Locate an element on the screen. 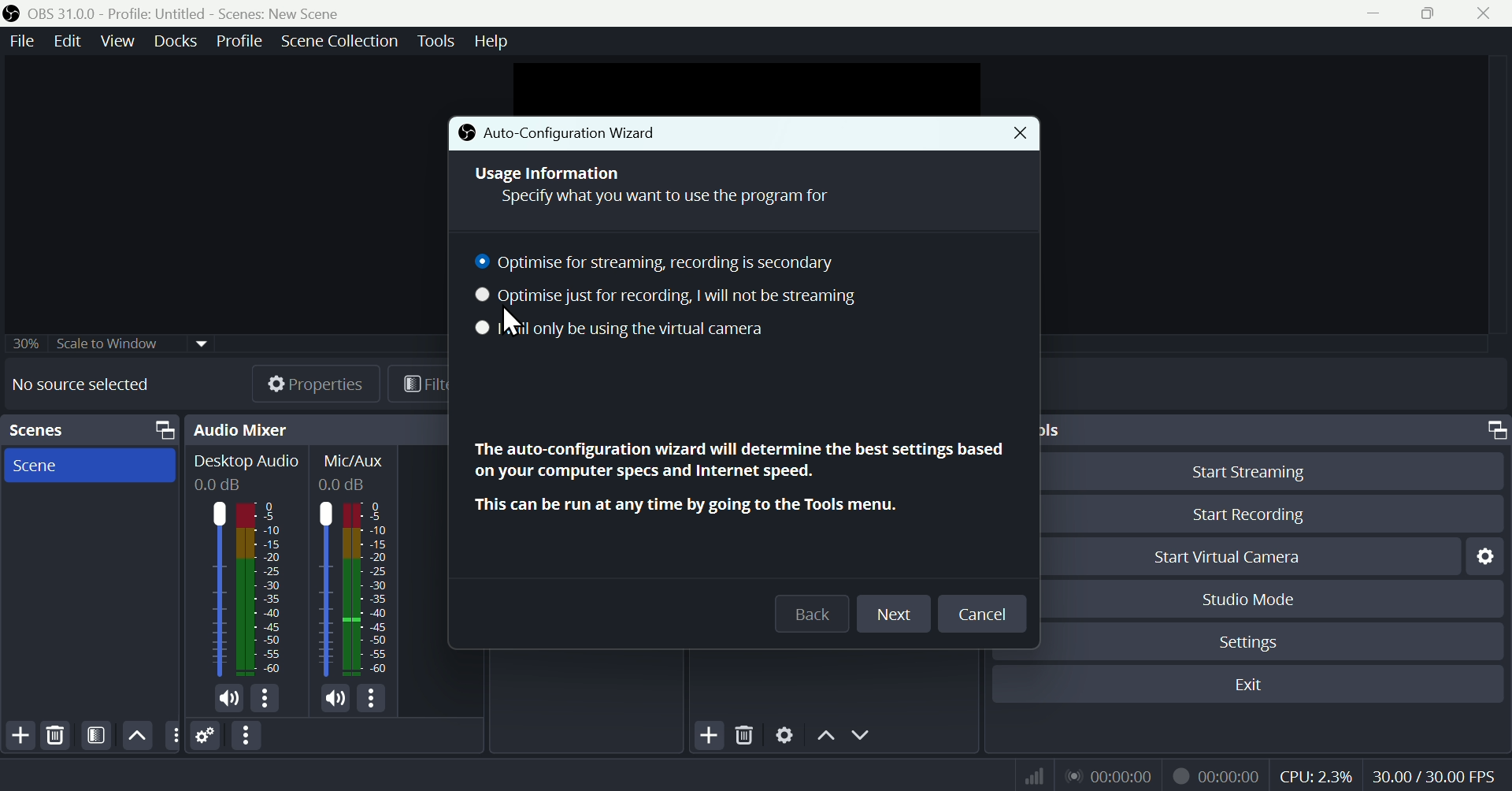 The image size is (1512, 791). options is located at coordinates (172, 734).